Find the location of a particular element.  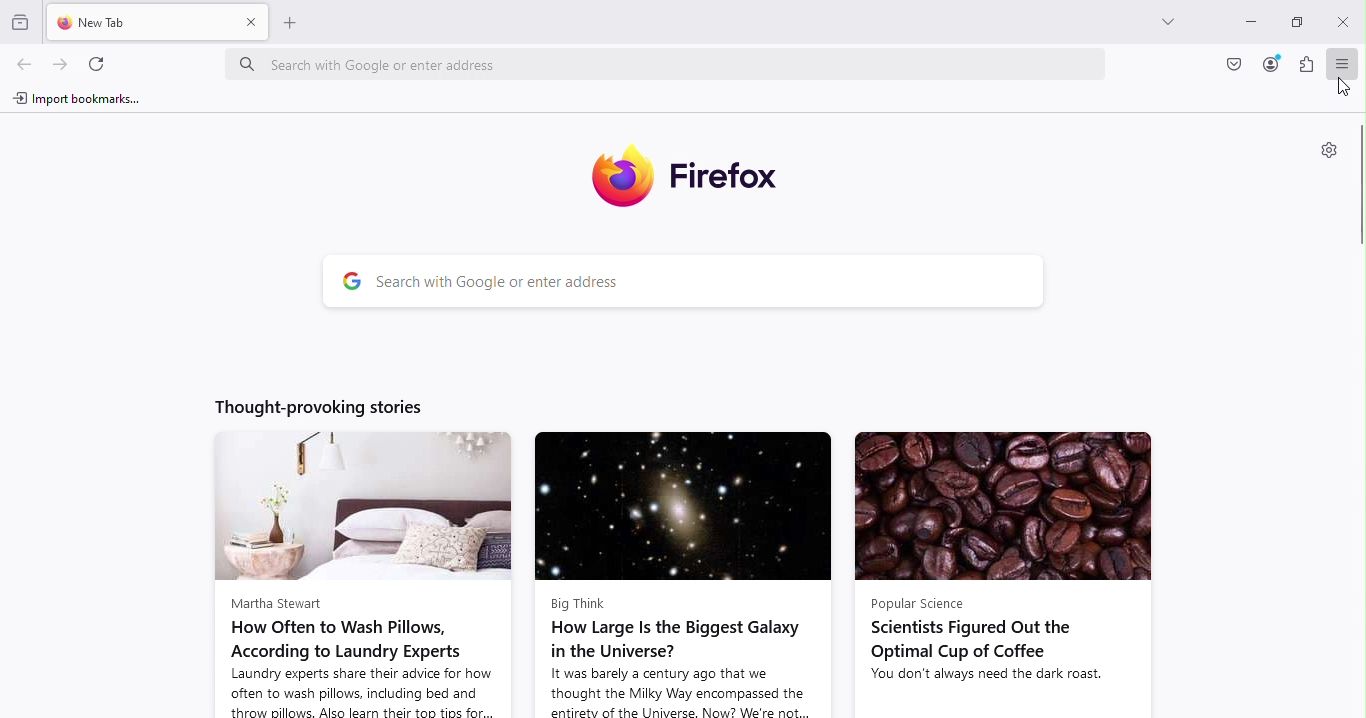

Address bar is located at coordinates (674, 63).